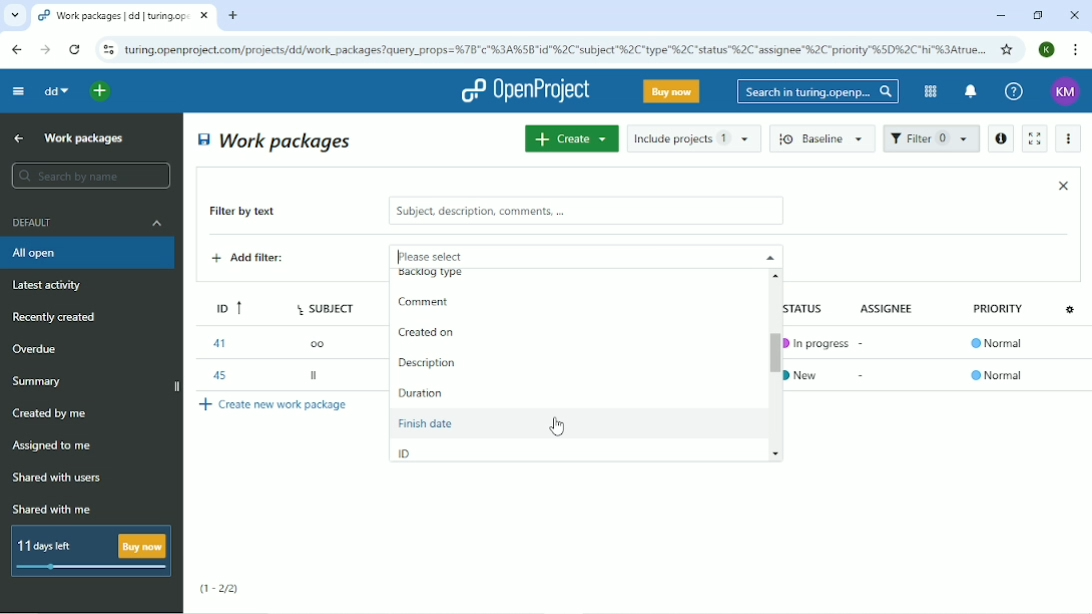 Image resolution: width=1092 pixels, height=614 pixels. What do you see at coordinates (323, 342) in the screenshot?
I see `oo` at bounding box center [323, 342].